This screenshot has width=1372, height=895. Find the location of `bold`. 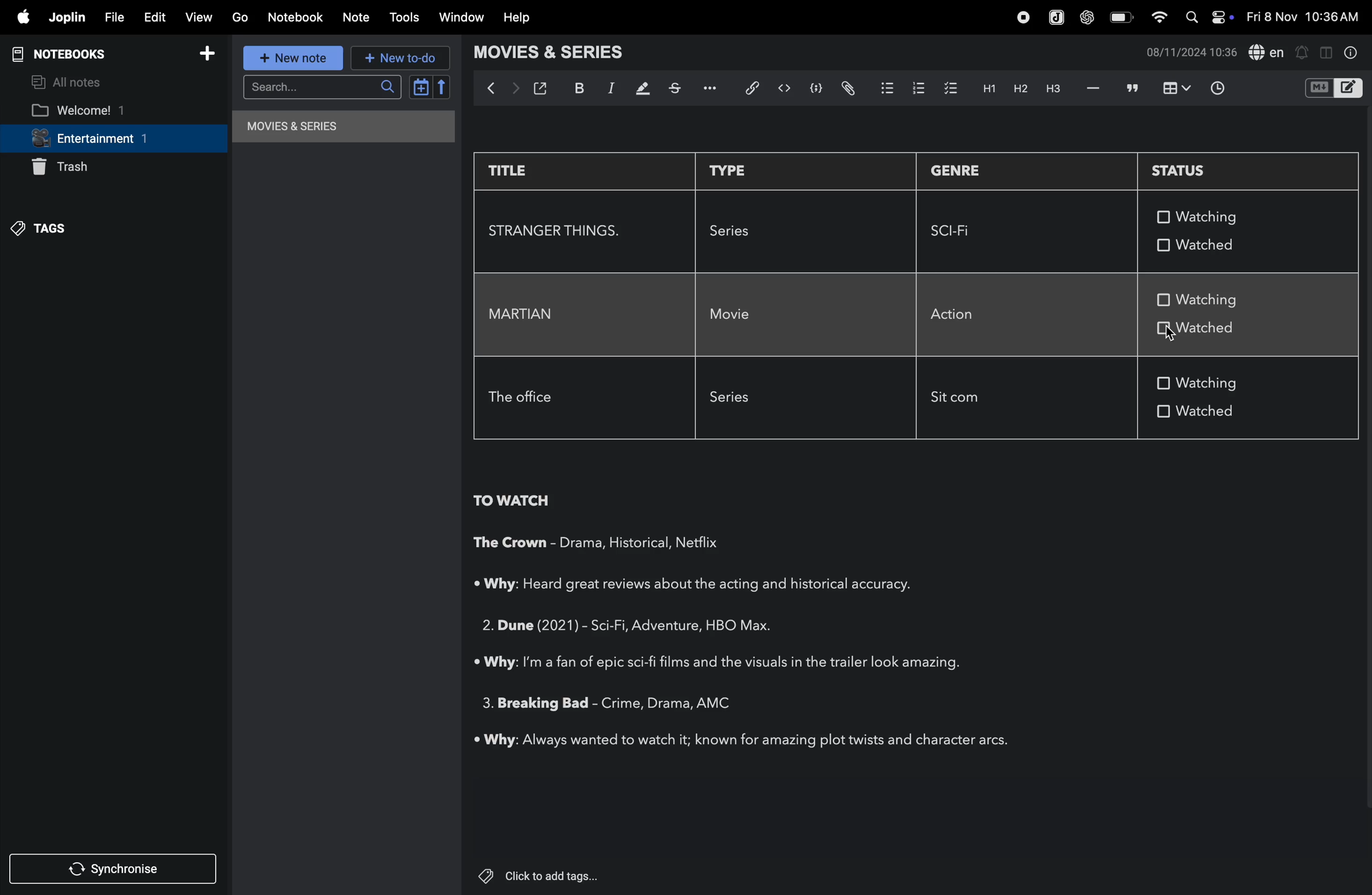

bold is located at coordinates (579, 88).